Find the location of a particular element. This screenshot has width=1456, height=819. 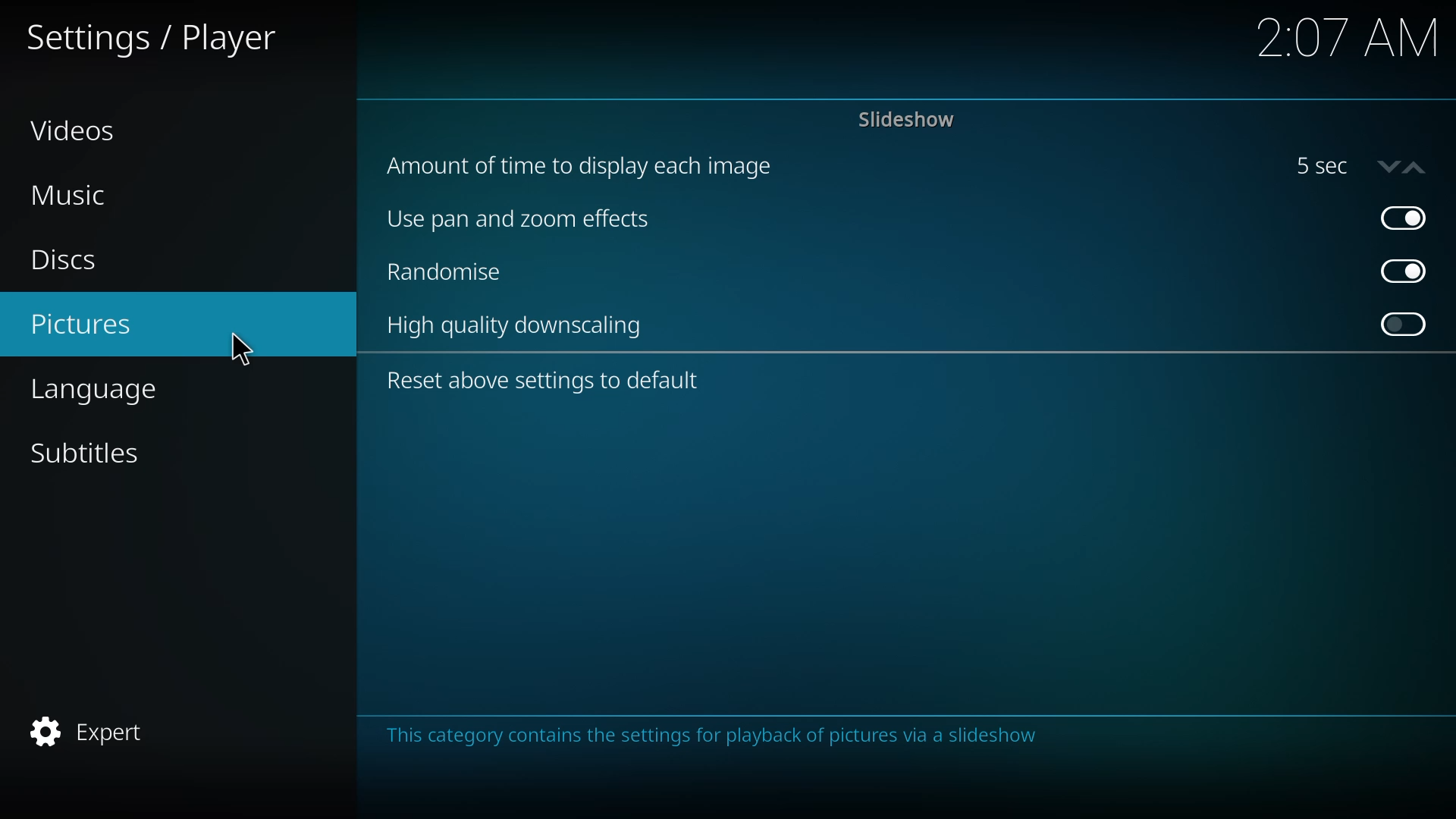

randomize is located at coordinates (447, 275).